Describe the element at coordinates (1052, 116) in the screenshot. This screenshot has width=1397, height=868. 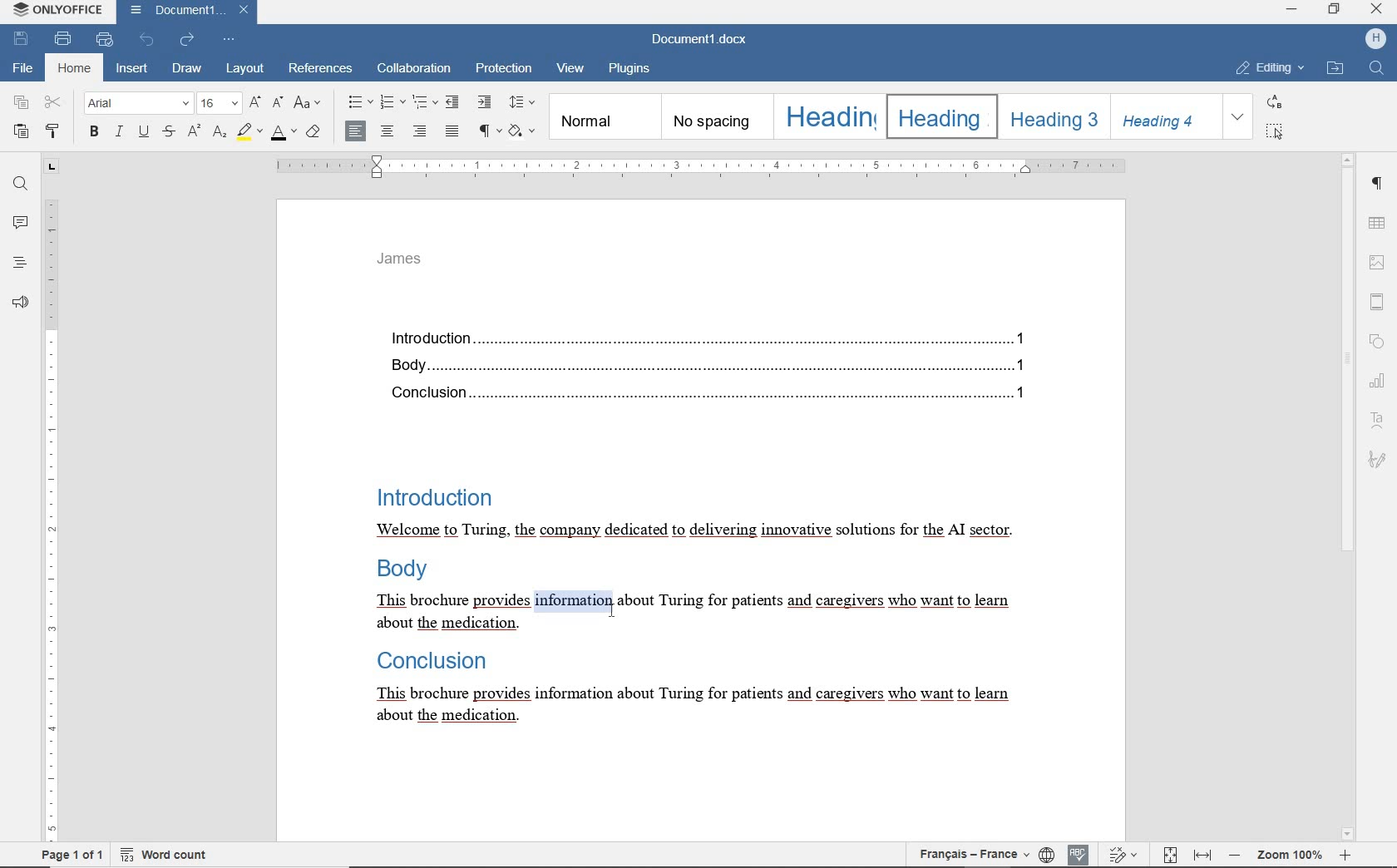
I see `HEADING 3` at that location.